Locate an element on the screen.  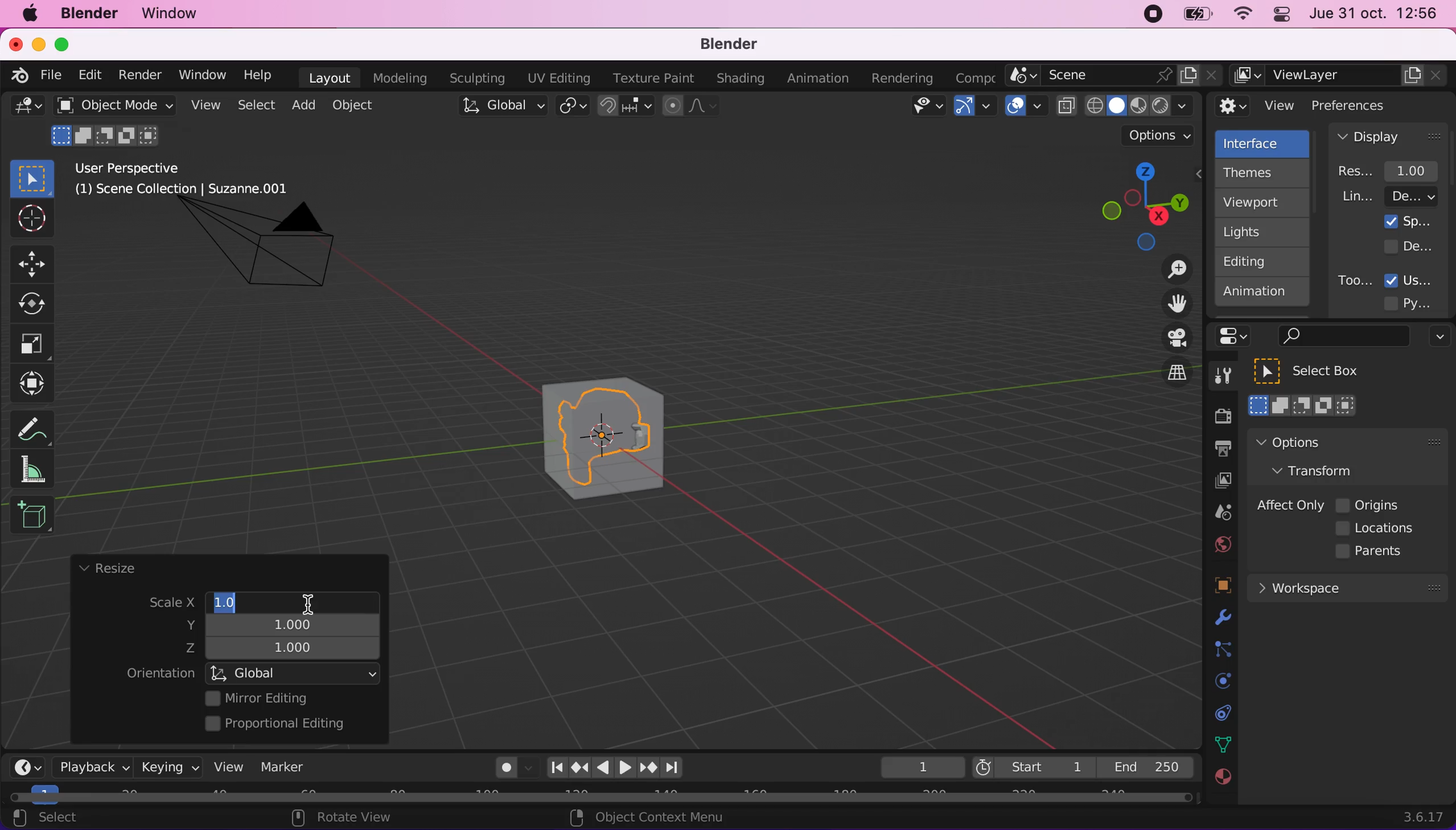
help is located at coordinates (259, 74).